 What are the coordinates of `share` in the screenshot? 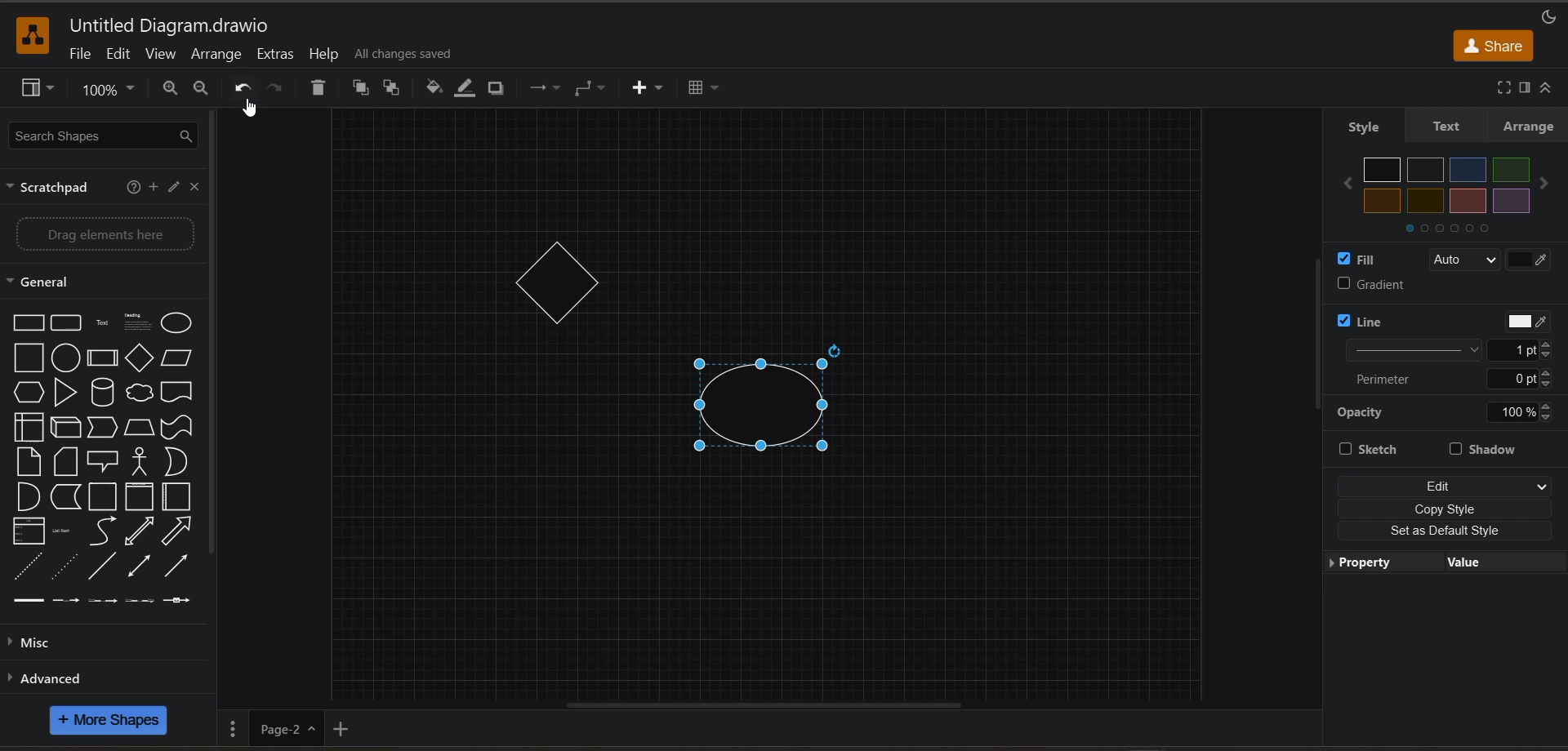 It's located at (1493, 47).